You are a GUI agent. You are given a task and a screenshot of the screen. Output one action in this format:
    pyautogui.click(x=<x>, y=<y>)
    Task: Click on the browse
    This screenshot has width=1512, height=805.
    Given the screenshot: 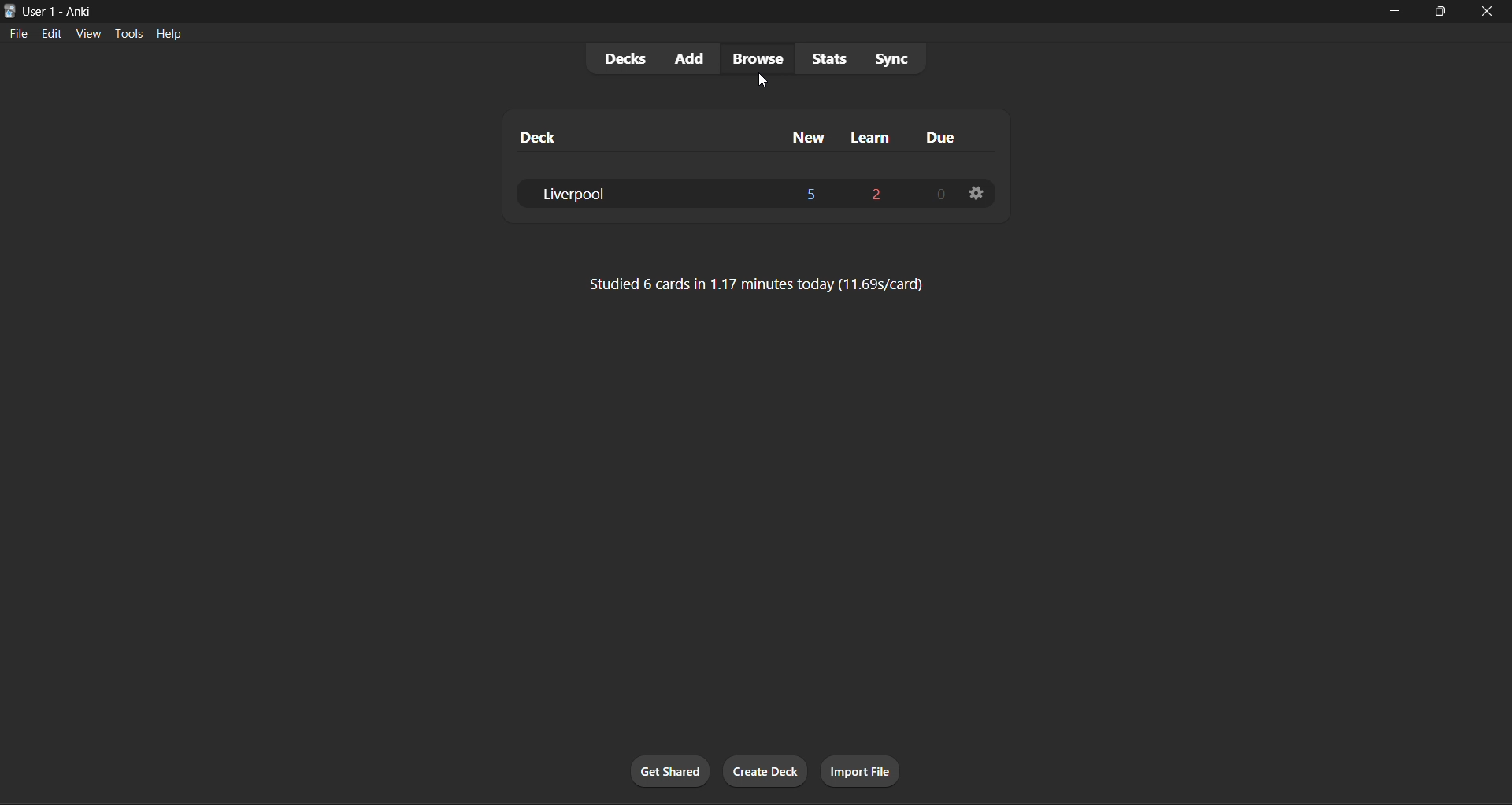 What is the action you would take?
    pyautogui.click(x=755, y=58)
    